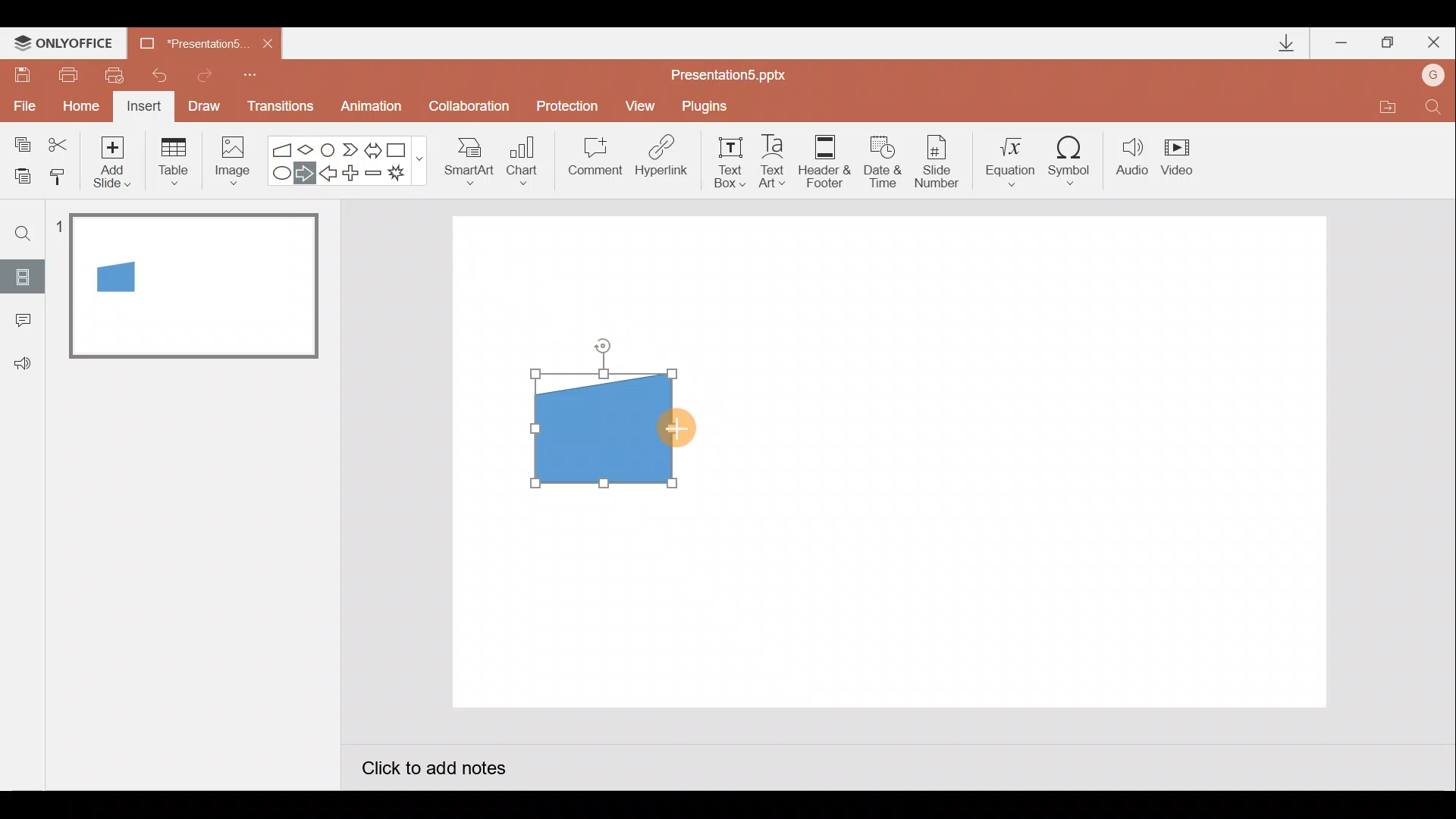 Image resolution: width=1456 pixels, height=819 pixels. Describe the element at coordinates (881, 158) in the screenshot. I see `Date & time` at that location.